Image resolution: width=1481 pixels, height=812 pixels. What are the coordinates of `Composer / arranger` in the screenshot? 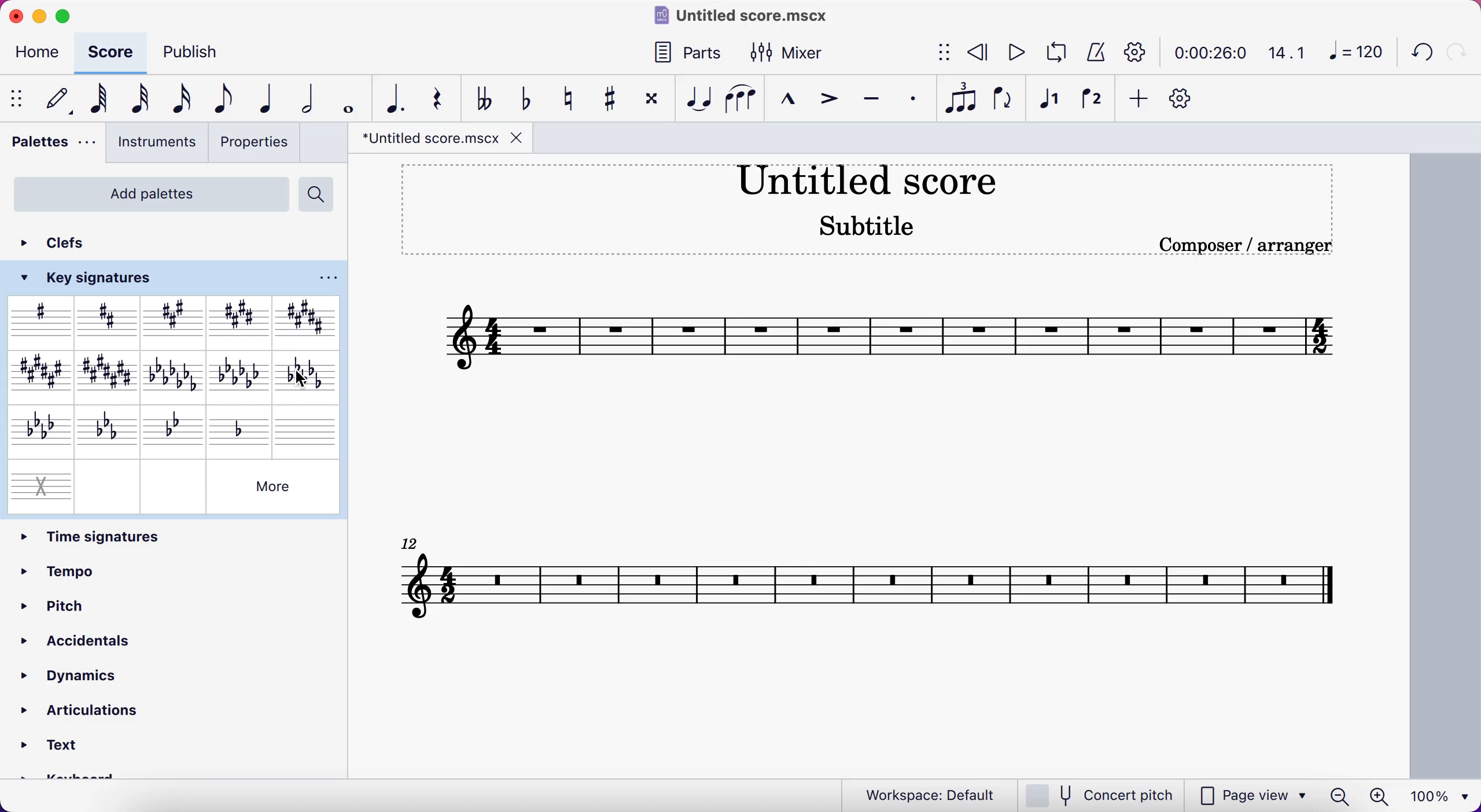 It's located at (1243, 245).